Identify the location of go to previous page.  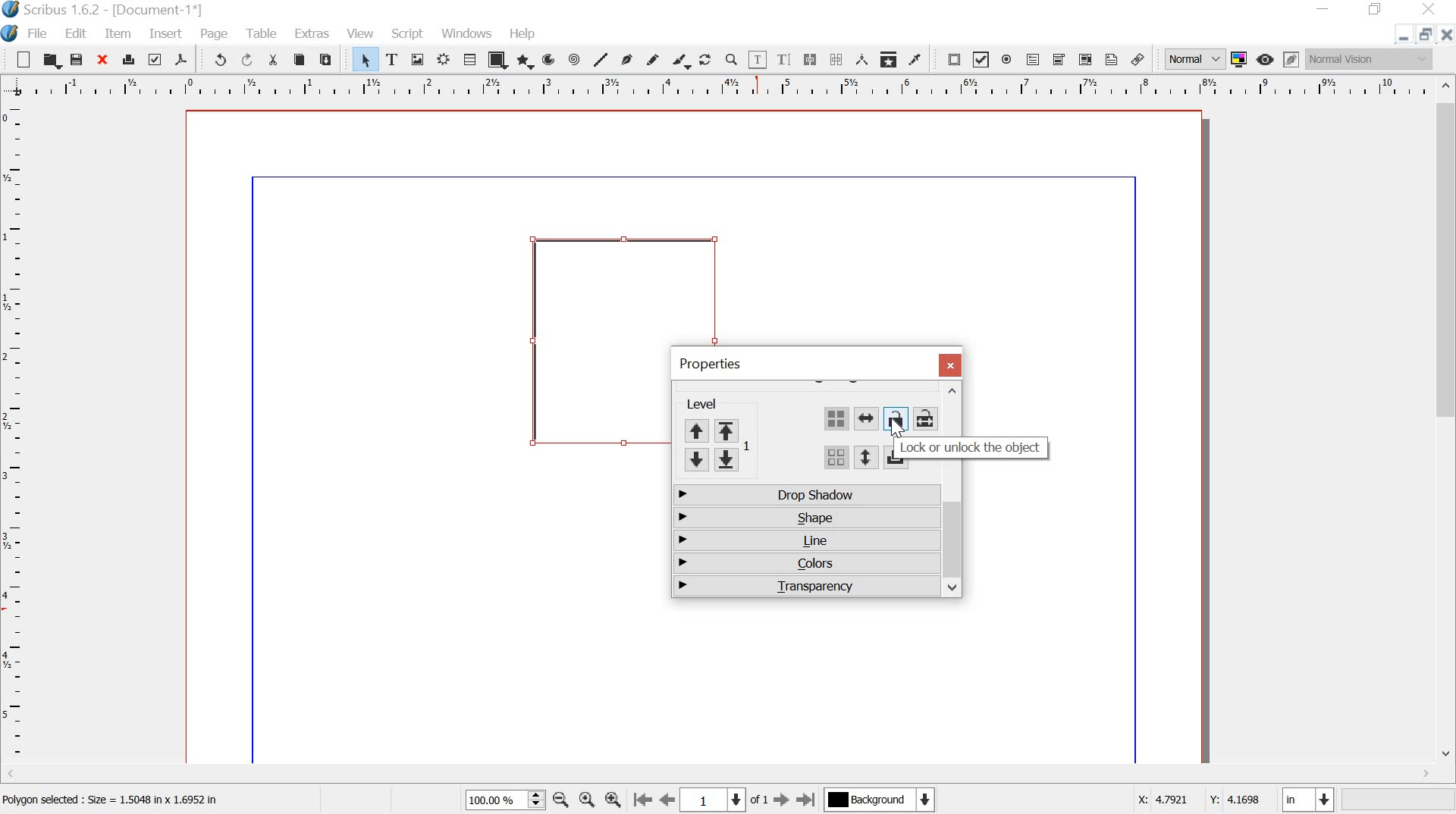
(668, 800).